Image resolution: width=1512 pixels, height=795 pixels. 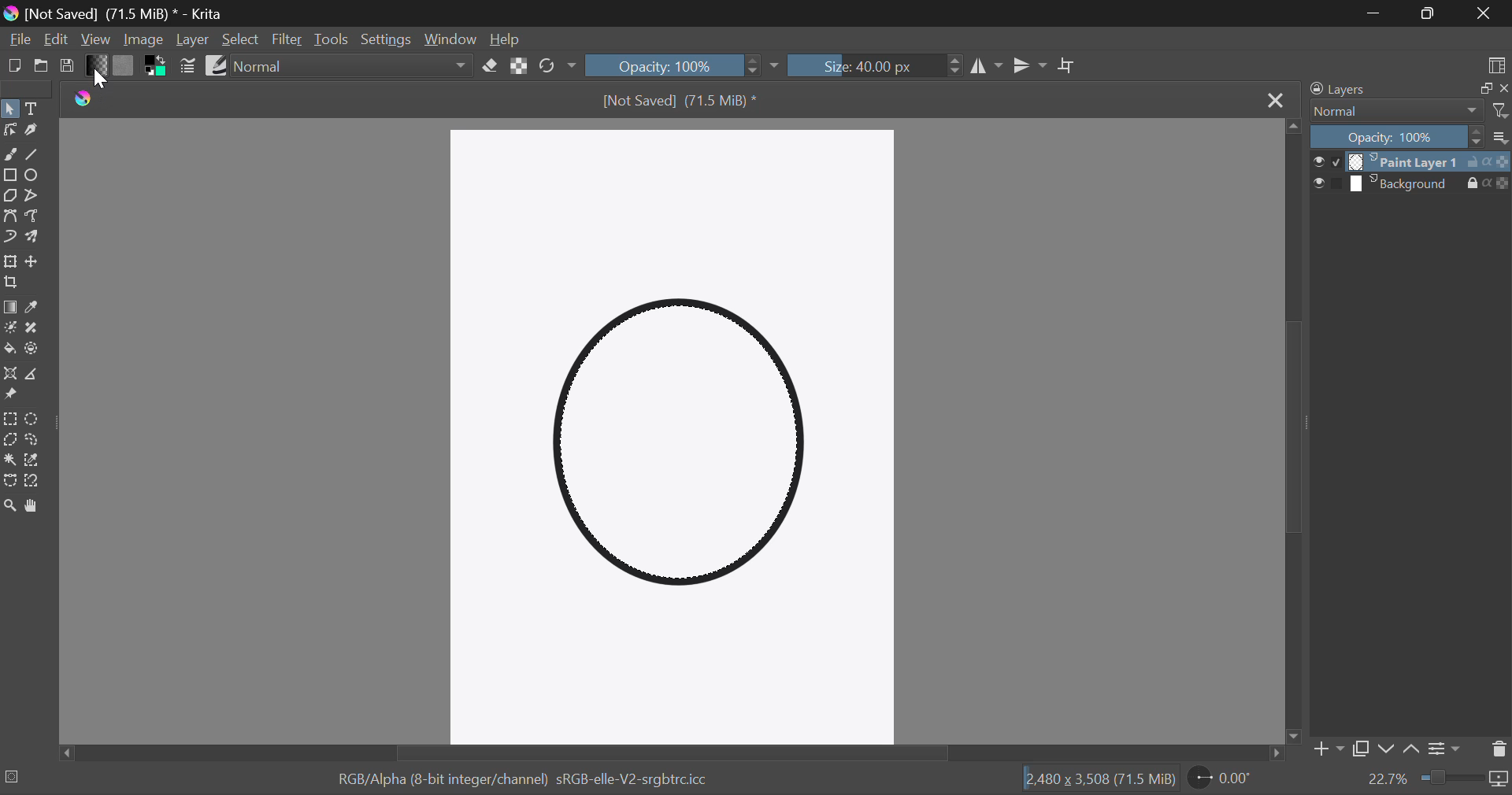 What do you see at coordinates (85, 99) in the screenshot?
I see `logo` at bounding box center [85, 99].